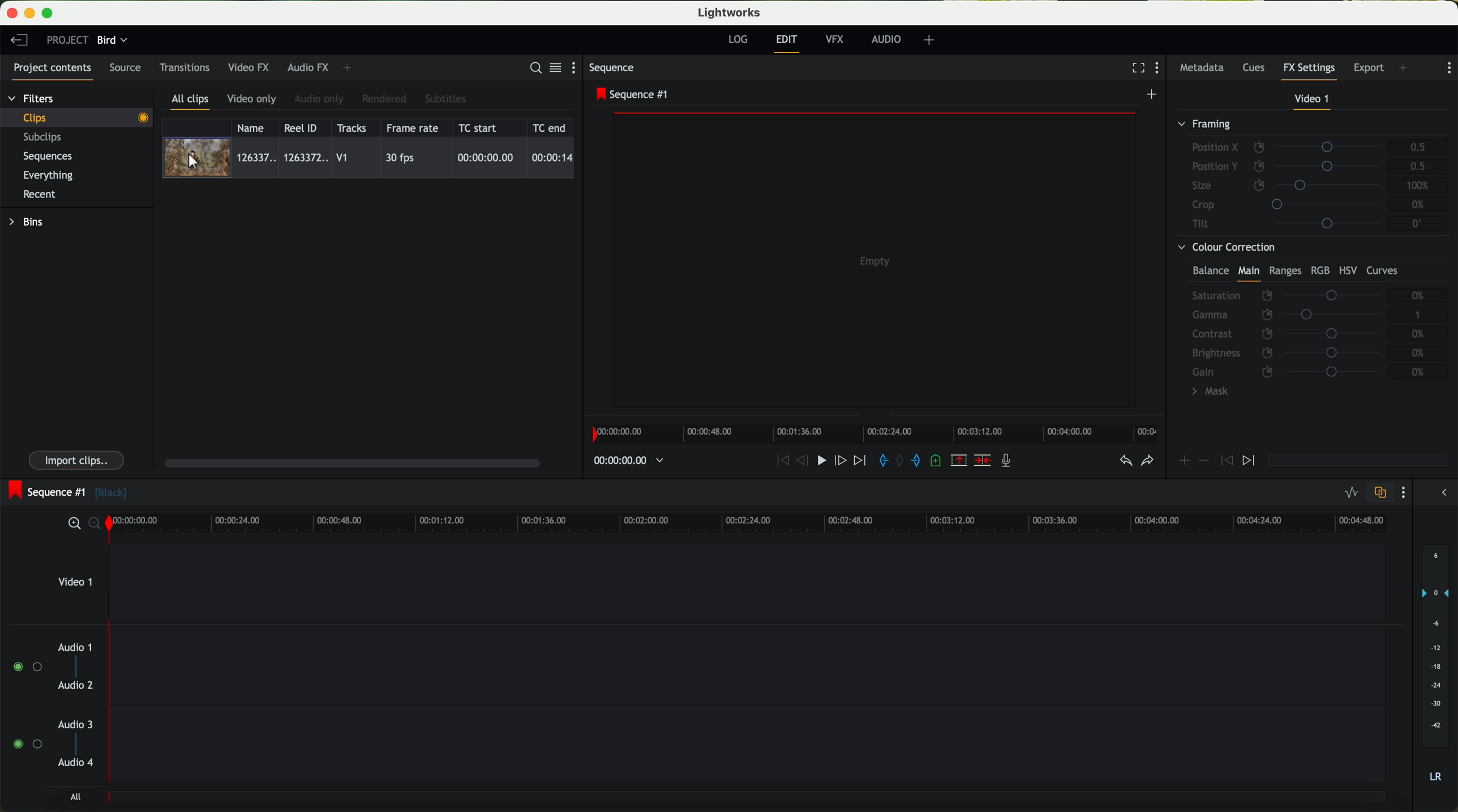 The image size is (1458, 812). I want to click on clips, so click(77, 117).